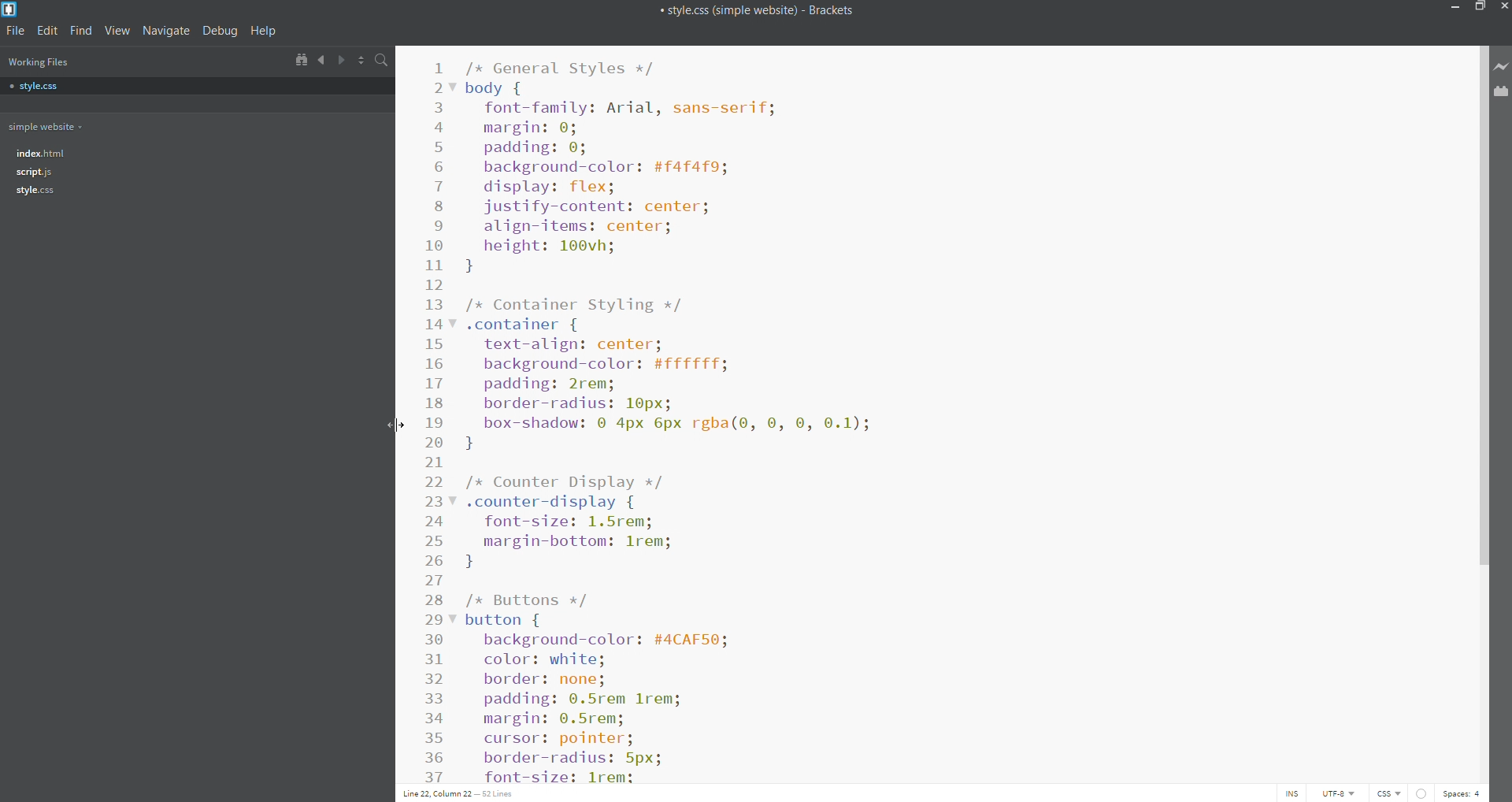 The image size is (1512, 802). What do you see at coordinates (298, 59) in the screenshot?
I see `show in file tree` at bounding box center [298, 59].